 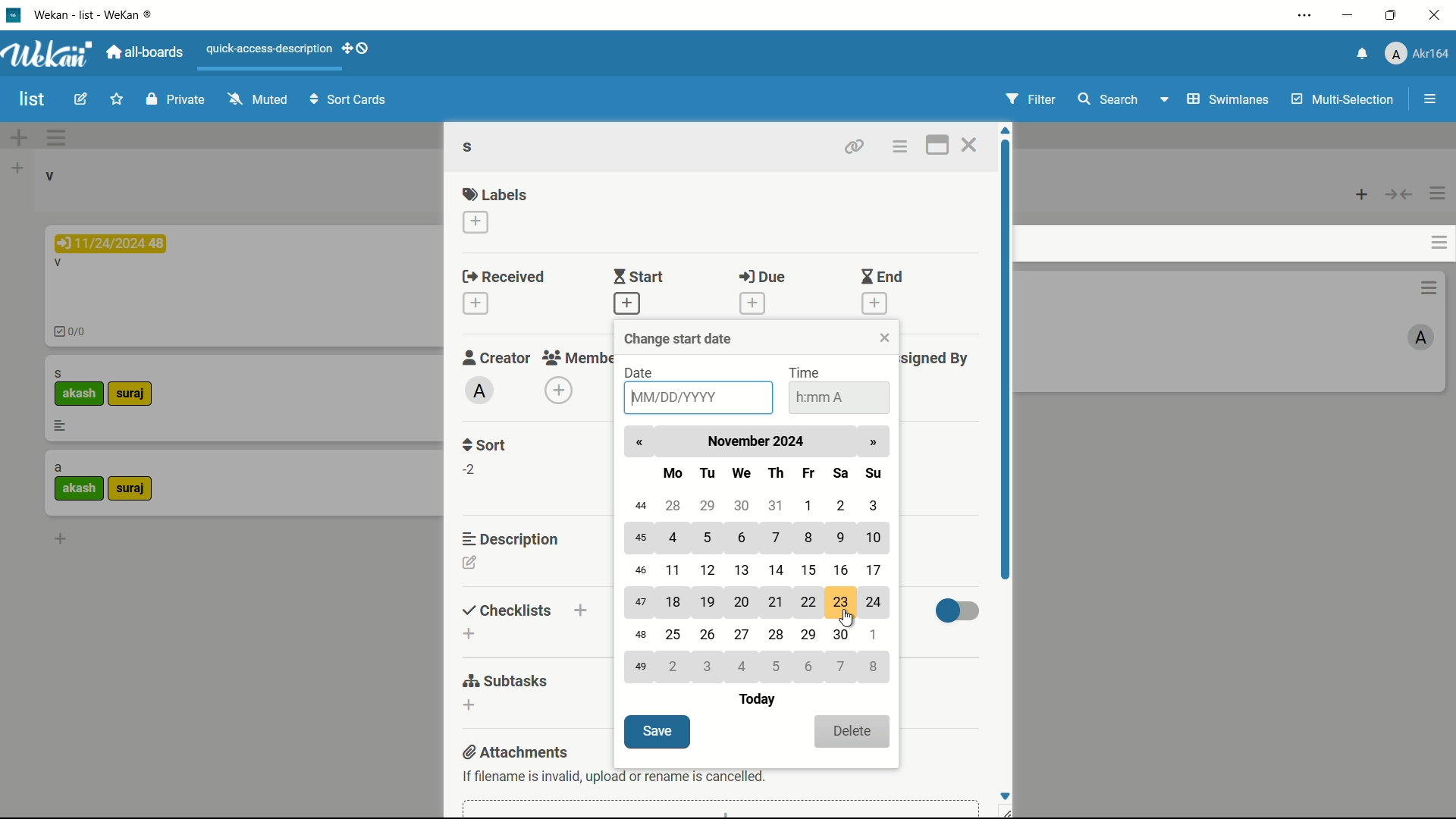 What do you see at coordinates (80, 394) in the screenshot?
I see `label-1` at bounding box center [80, 394].